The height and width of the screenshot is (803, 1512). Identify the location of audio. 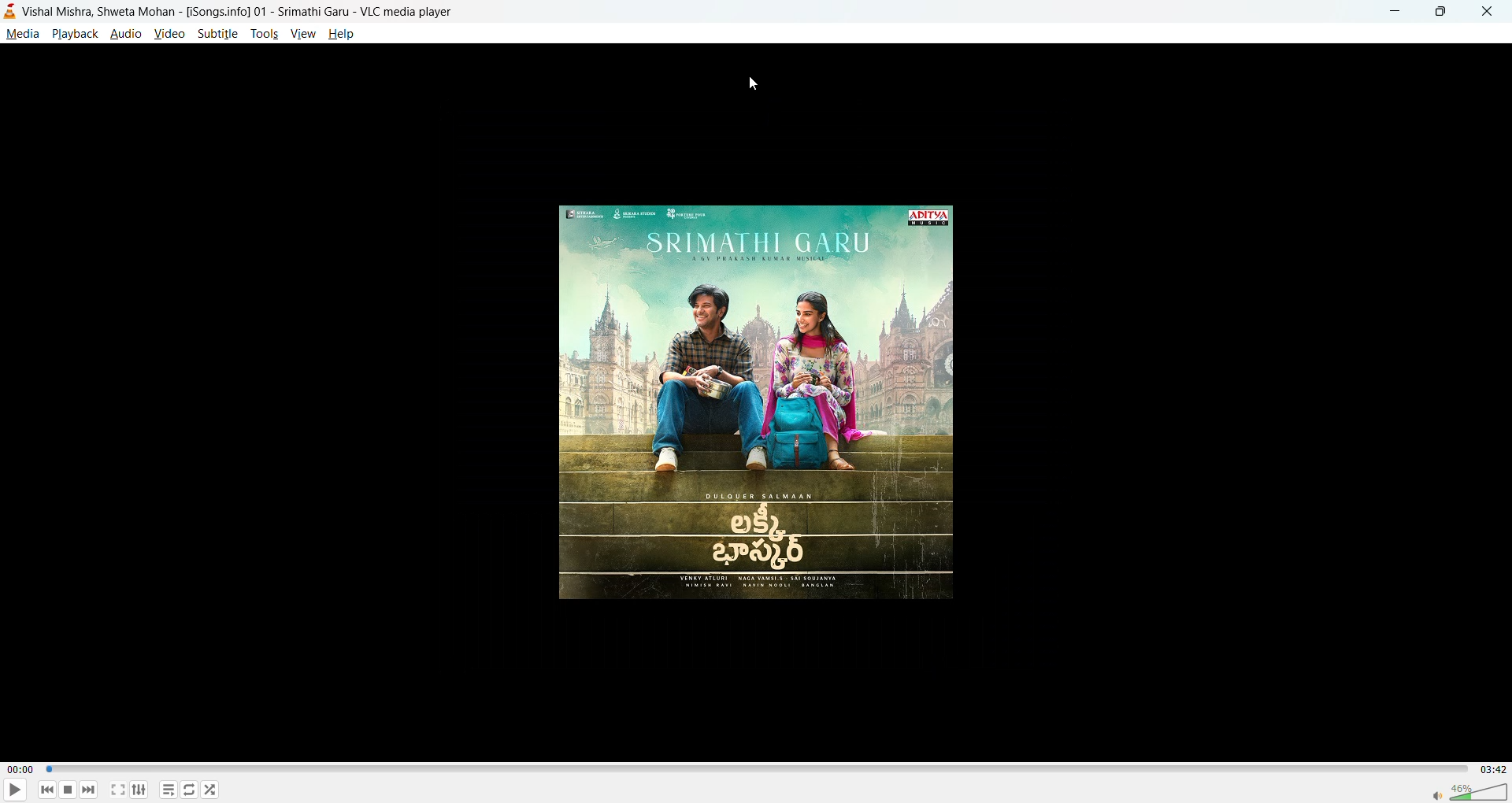
(126, 33).